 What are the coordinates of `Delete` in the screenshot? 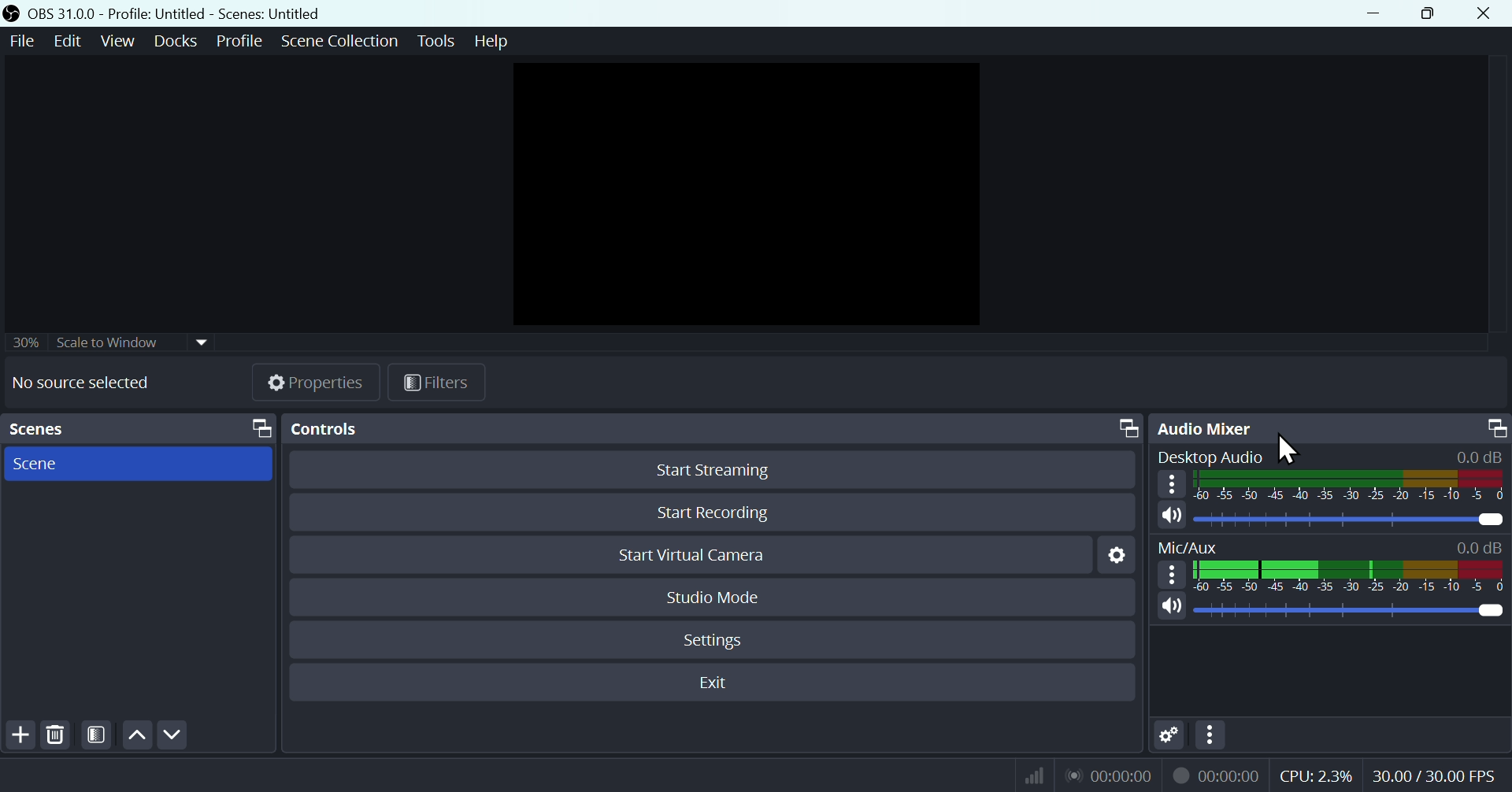 It's located at (55, 734).